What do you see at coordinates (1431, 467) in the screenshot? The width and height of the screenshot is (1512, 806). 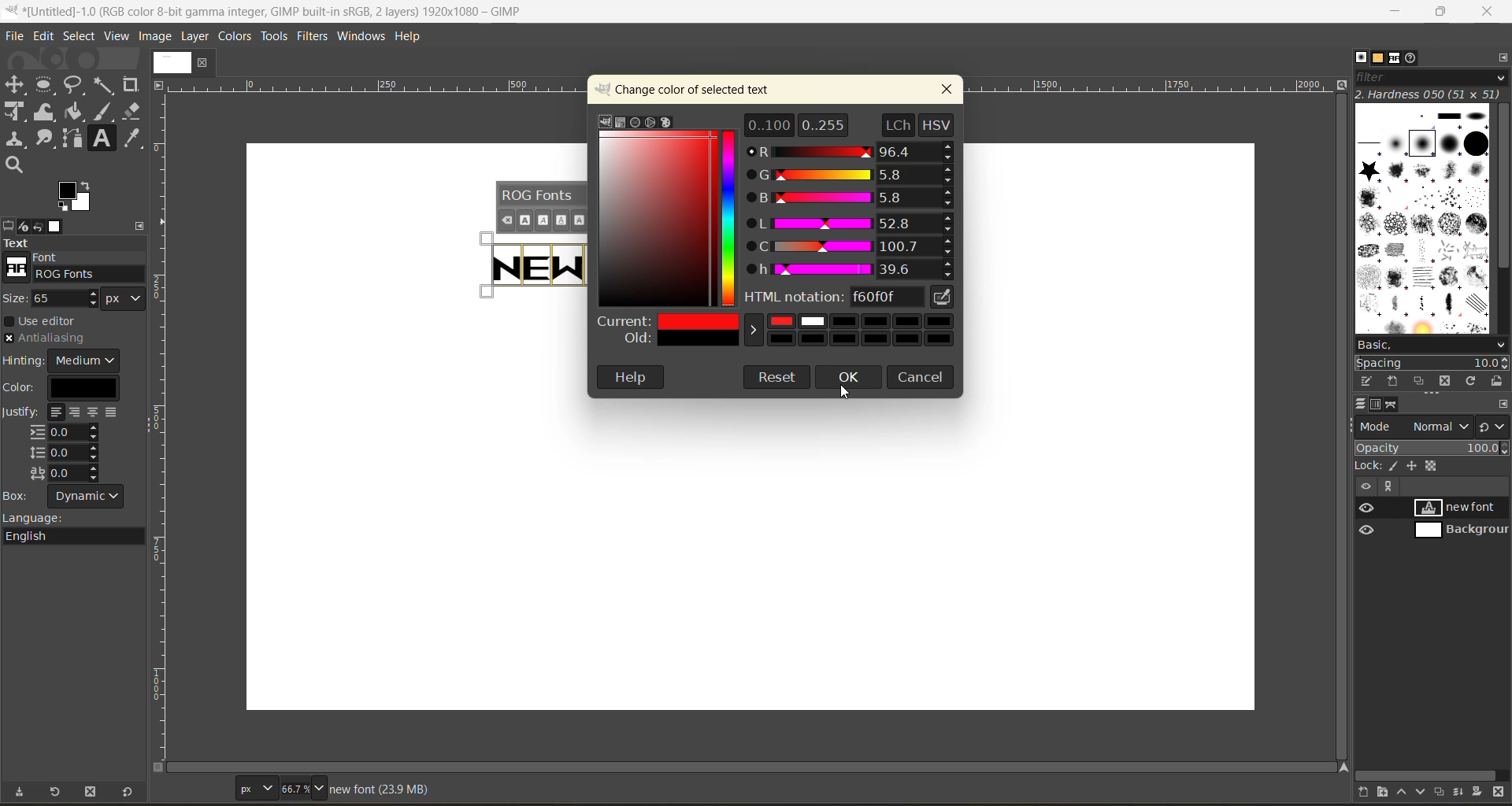 I see `lock pixel, position and alpha` at bounding box center [1431, 467].